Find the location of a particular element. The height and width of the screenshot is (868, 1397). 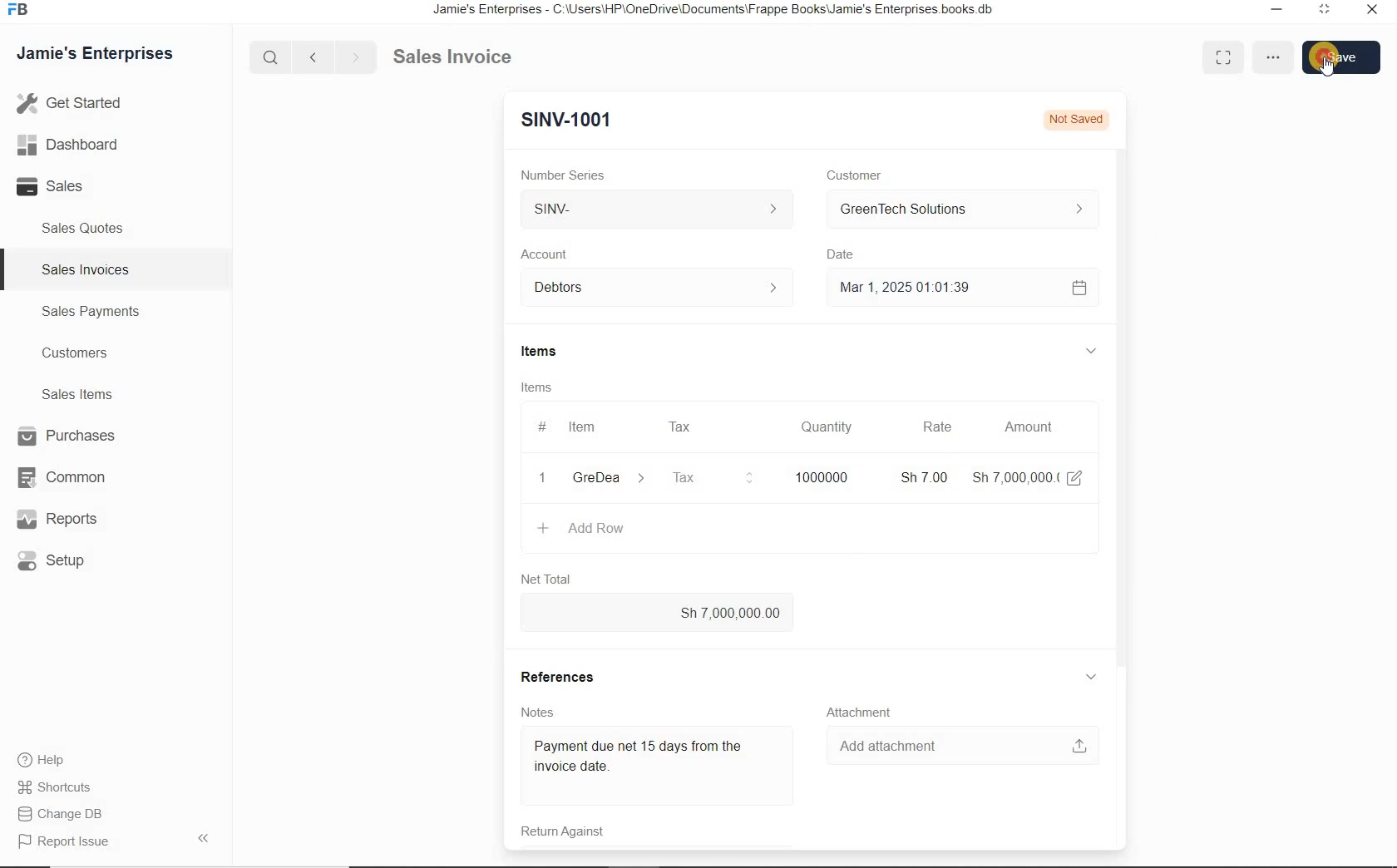

‘Add attachment is located at coordinates (960, 743).